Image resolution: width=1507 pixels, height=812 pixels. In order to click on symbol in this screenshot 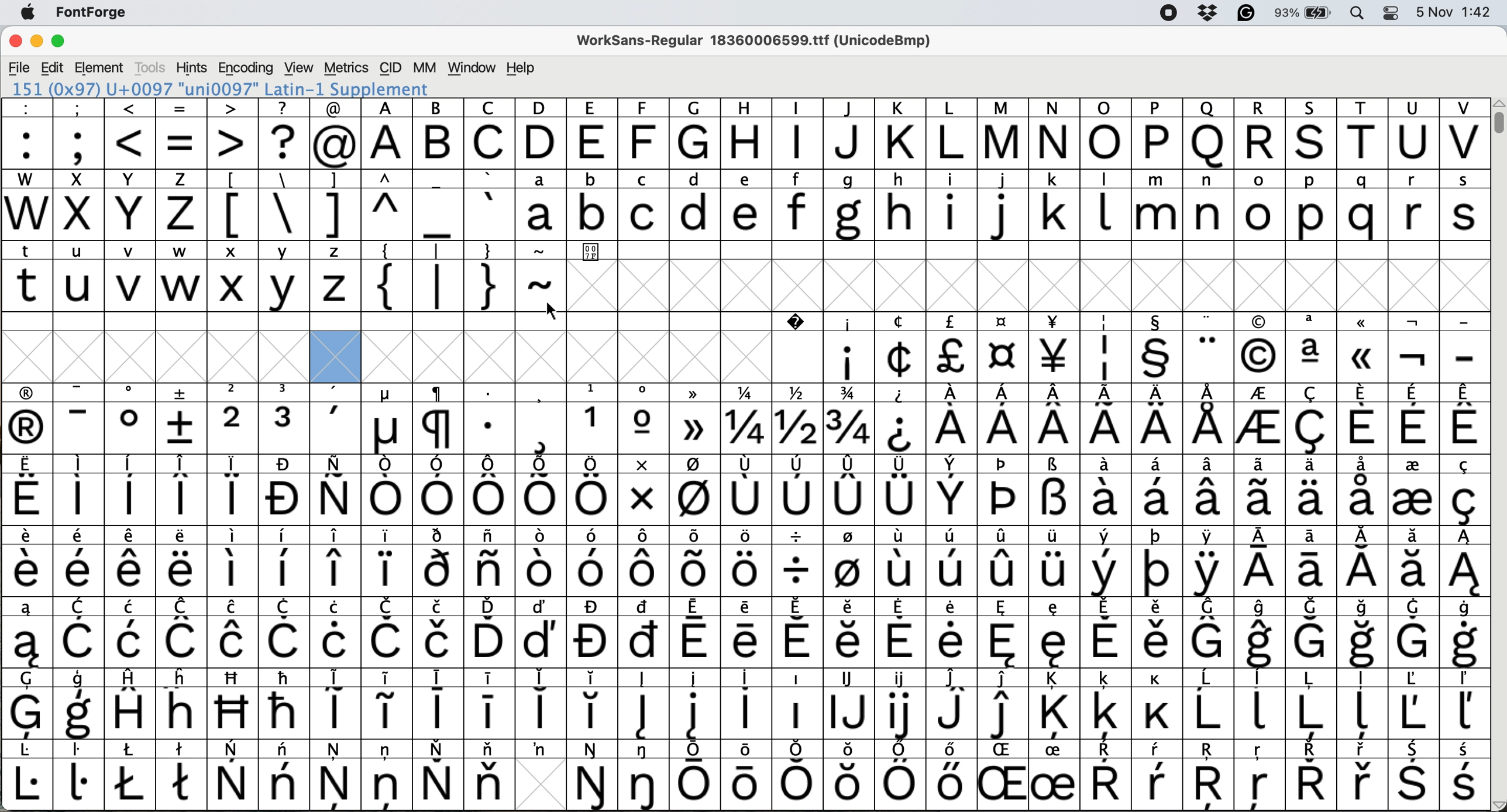, I will do `click(438, 560)`.